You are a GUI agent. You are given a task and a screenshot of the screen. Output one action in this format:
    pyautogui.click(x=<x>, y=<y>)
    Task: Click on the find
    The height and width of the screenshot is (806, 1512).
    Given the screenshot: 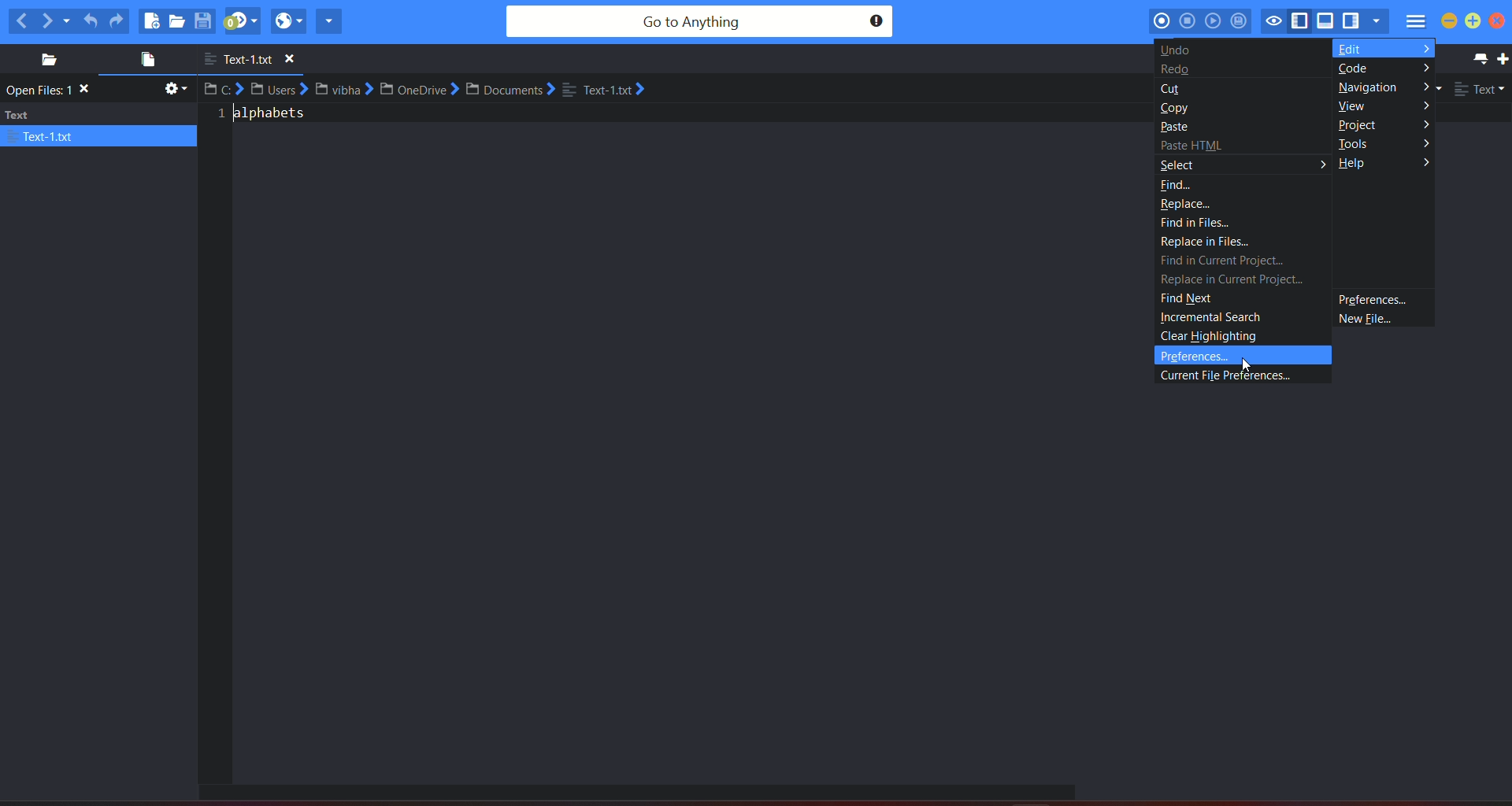 What is the action you would take?
    pyautogui.click(x=1180, y=183)
    